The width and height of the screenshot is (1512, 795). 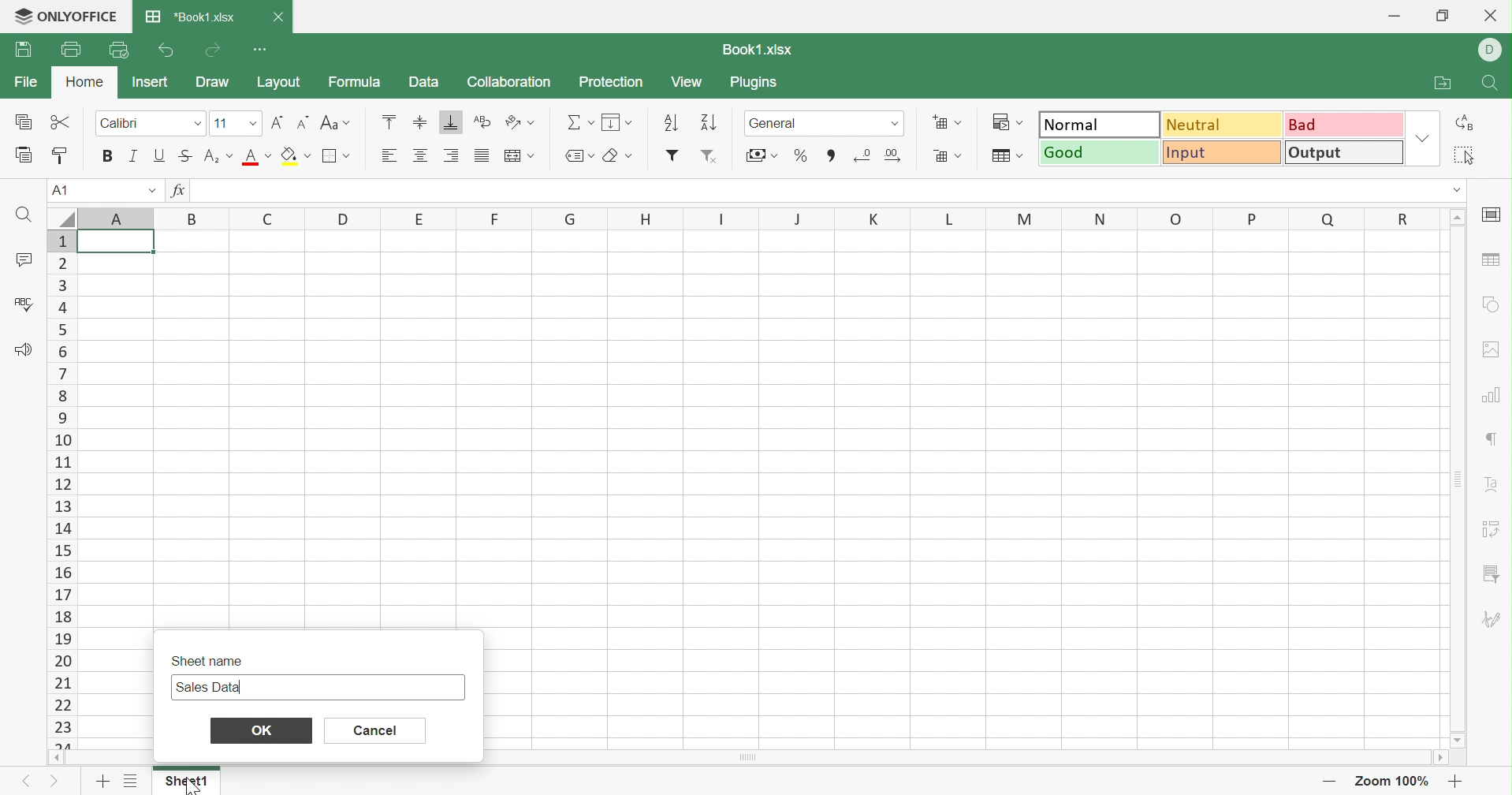 I want to click on Remove filter, so click(x=709, y=155).